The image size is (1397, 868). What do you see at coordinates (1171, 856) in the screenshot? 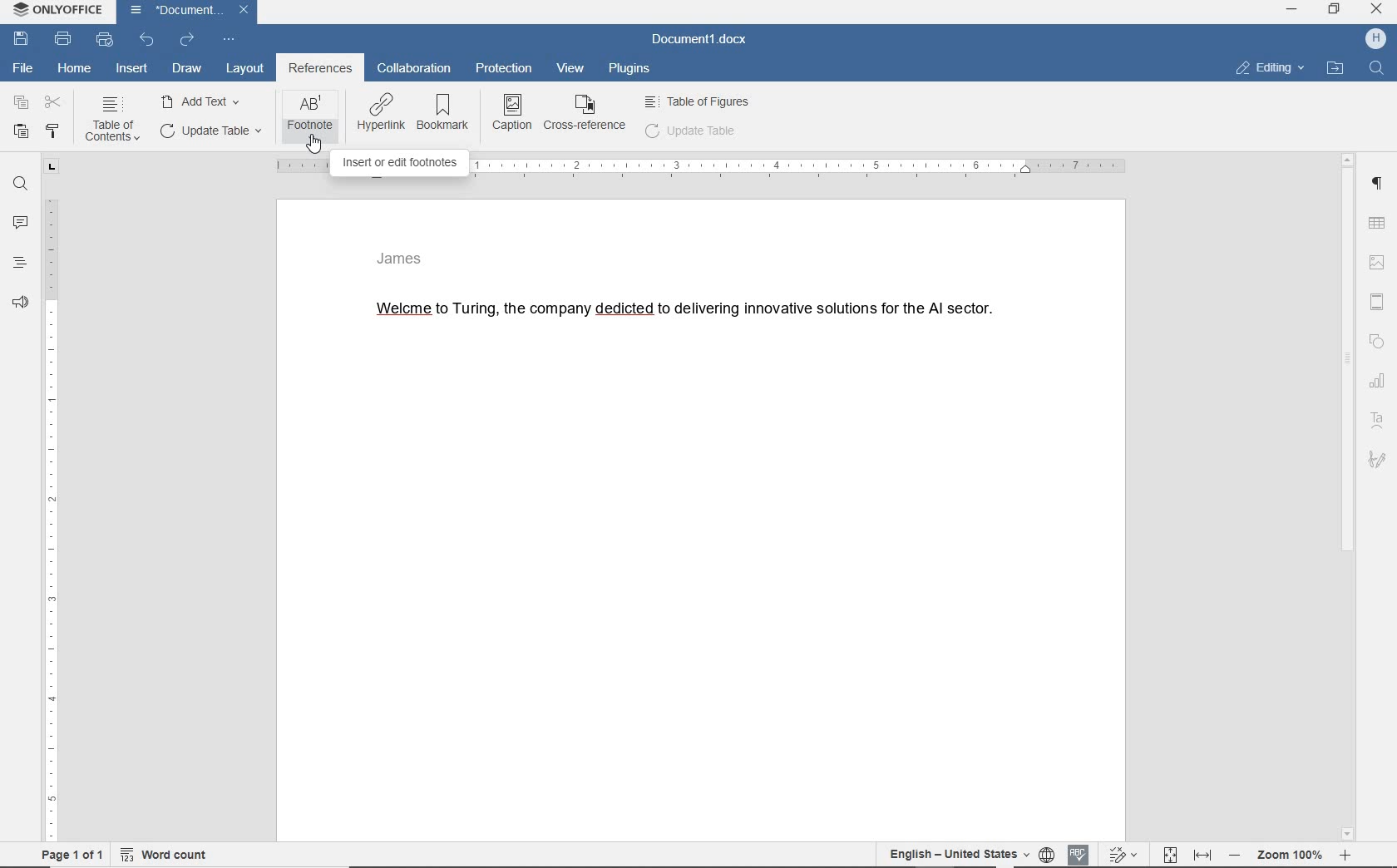
I see `fit to page` at bounding box center [1171, 856].